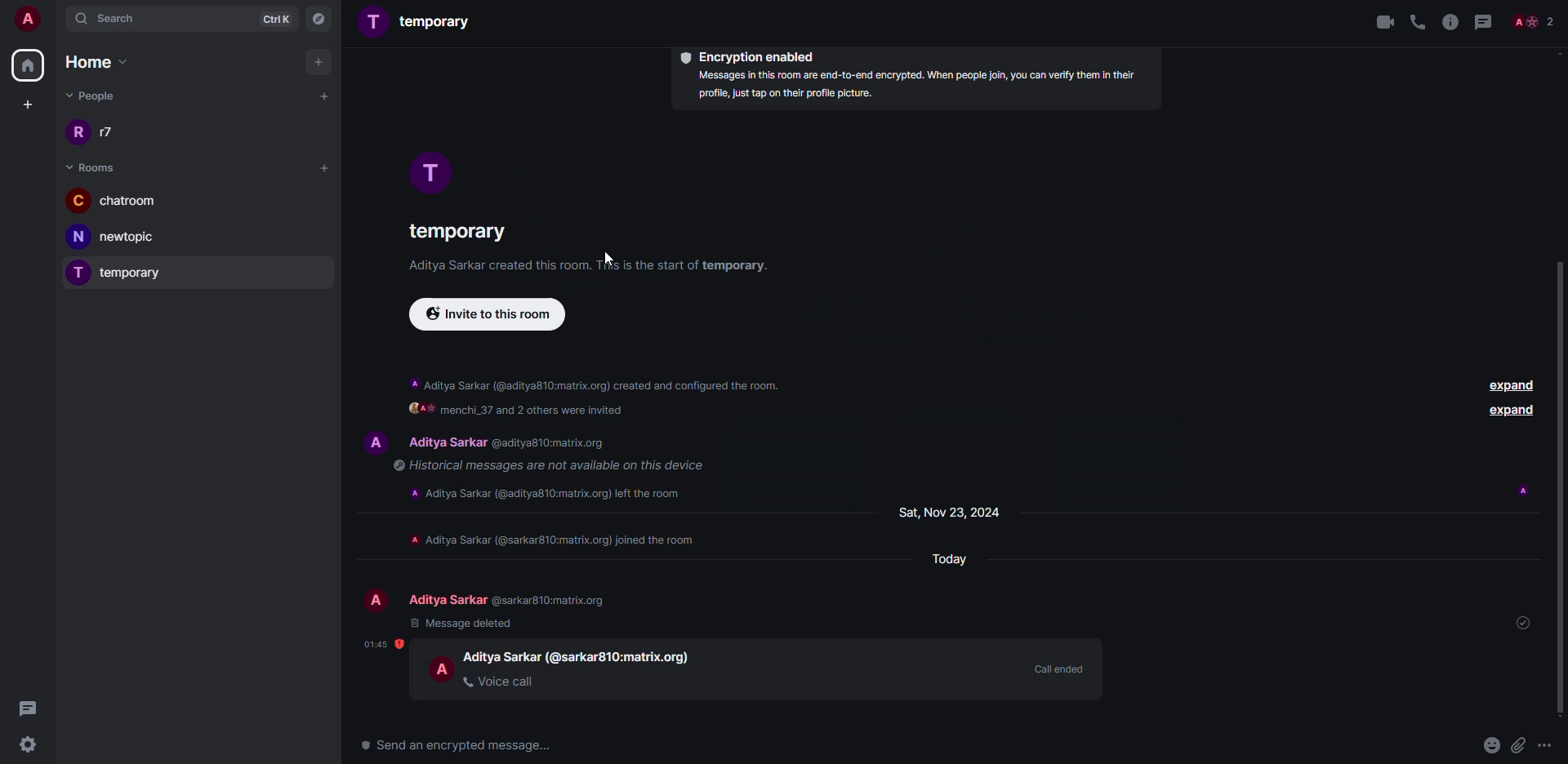  What do you see at coordinates (321, 20) in the screenshot?
I see `navigator` at bounding box center [321, 20].